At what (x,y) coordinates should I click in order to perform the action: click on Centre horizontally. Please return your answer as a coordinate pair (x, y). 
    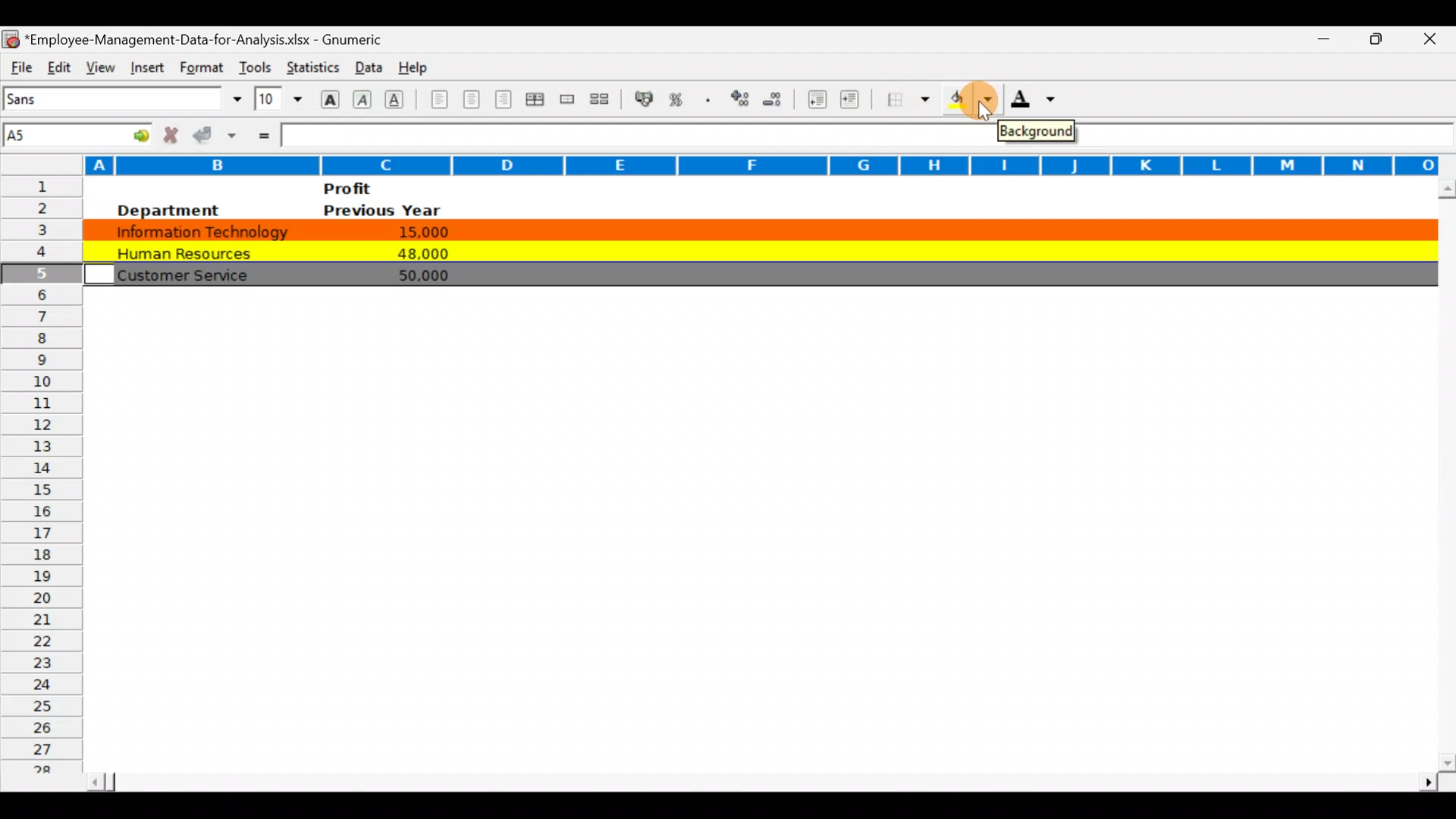
    Looking at the image, I should click on (472, 102).